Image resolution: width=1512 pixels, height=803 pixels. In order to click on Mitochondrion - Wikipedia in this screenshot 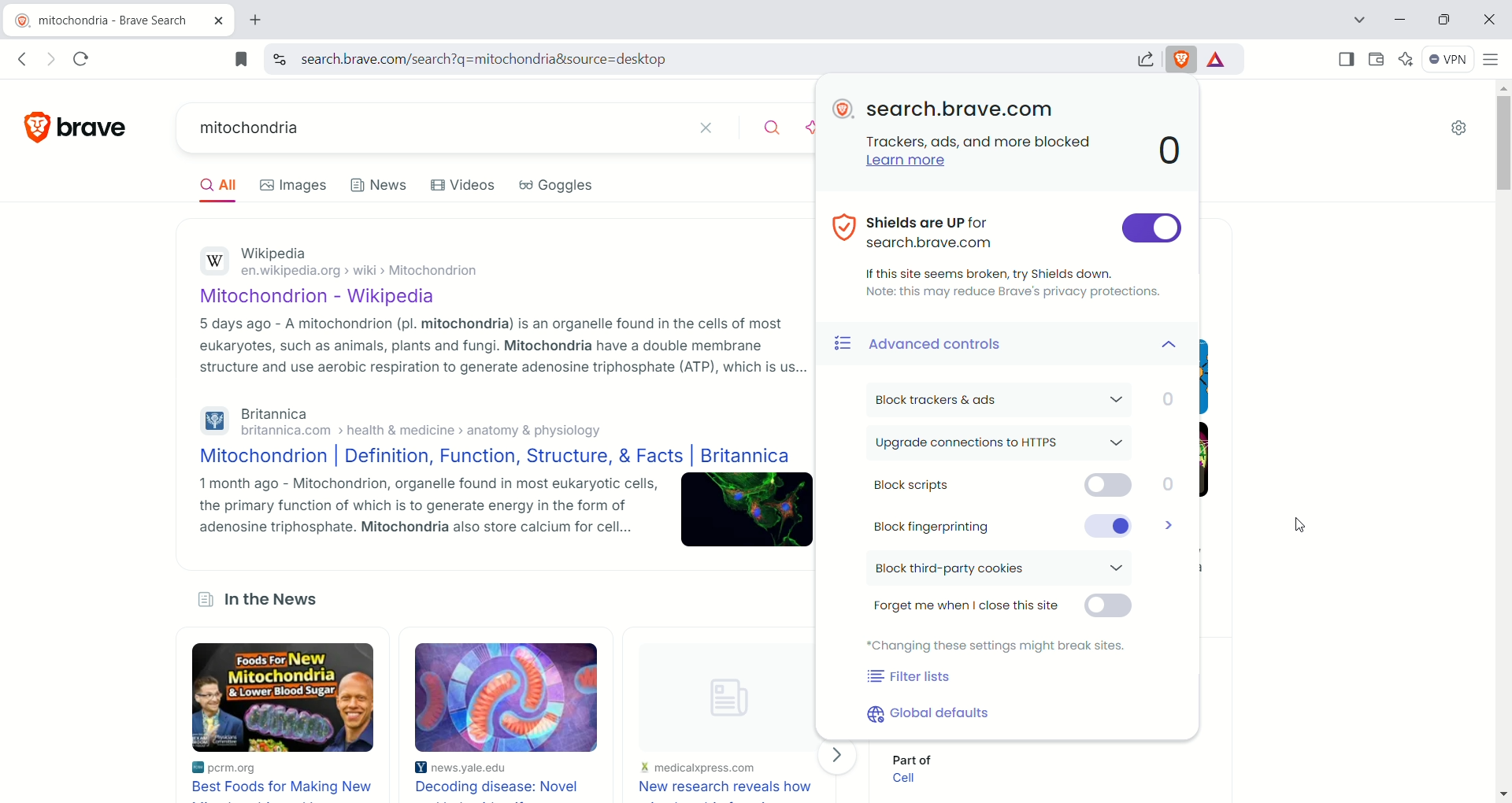, I will do `click(332, 298)`.